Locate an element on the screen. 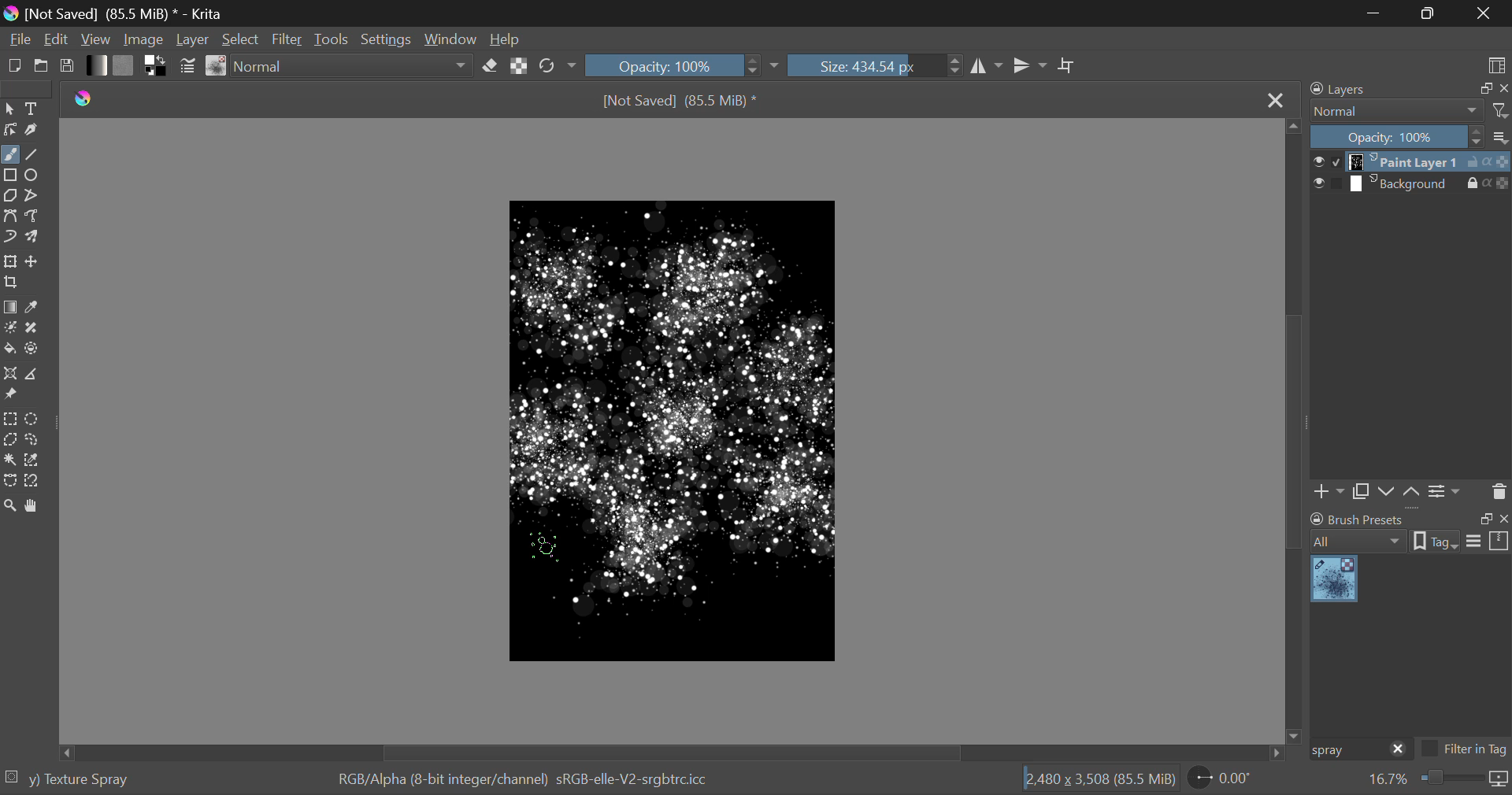 This screenshot has width=1512, height=795. File is located at coordinates (19, 38).